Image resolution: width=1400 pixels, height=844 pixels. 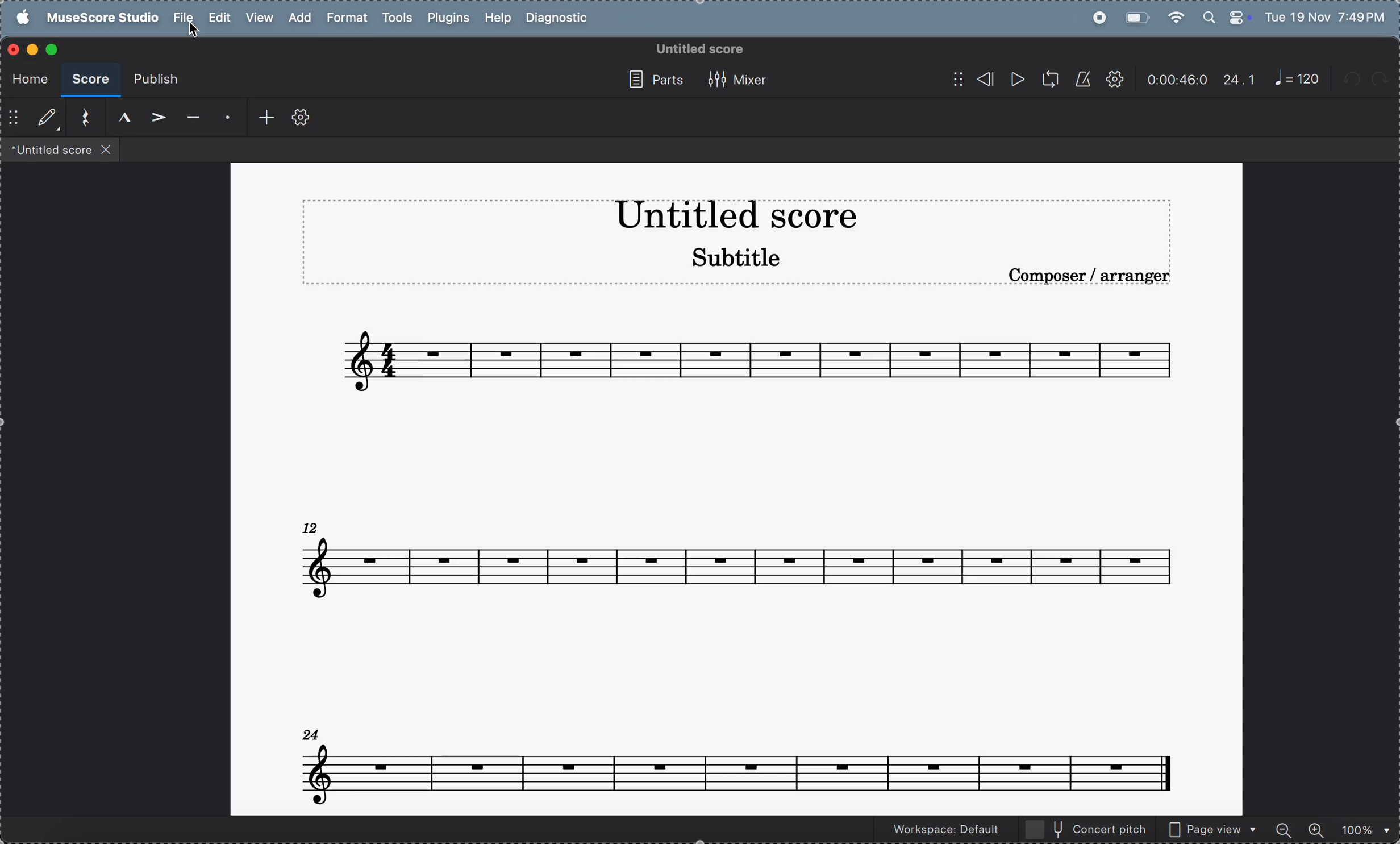 What do you see at coordinates (14, 50) in the screenshot?
I see `closing` at bounding box center [14, 50].